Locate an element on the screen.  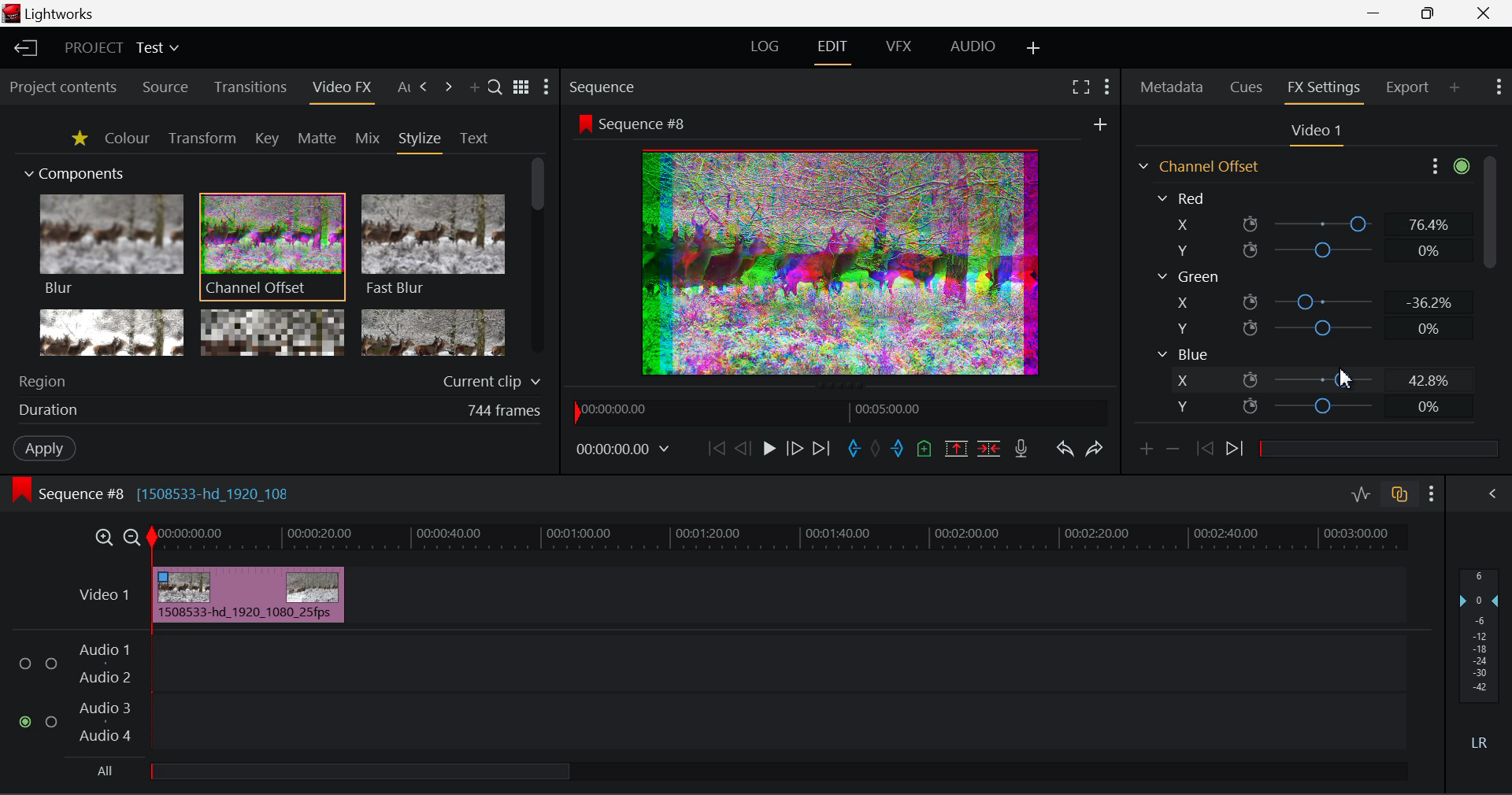
Toggle Audio Levels Editing is located at coordinates (1362, 495).